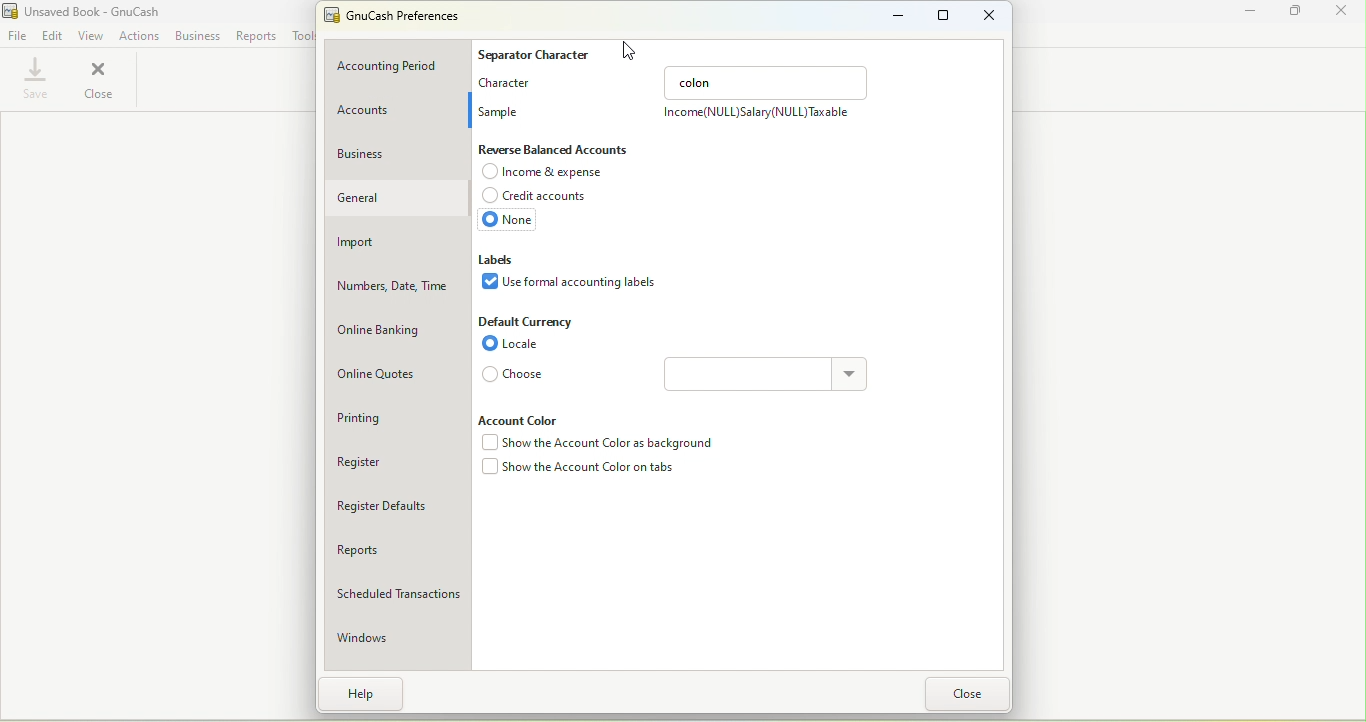 The image size is (1366, 722). Describe the element at coordinates (255, 35) in the screenshot. I see `Reports` at that location.